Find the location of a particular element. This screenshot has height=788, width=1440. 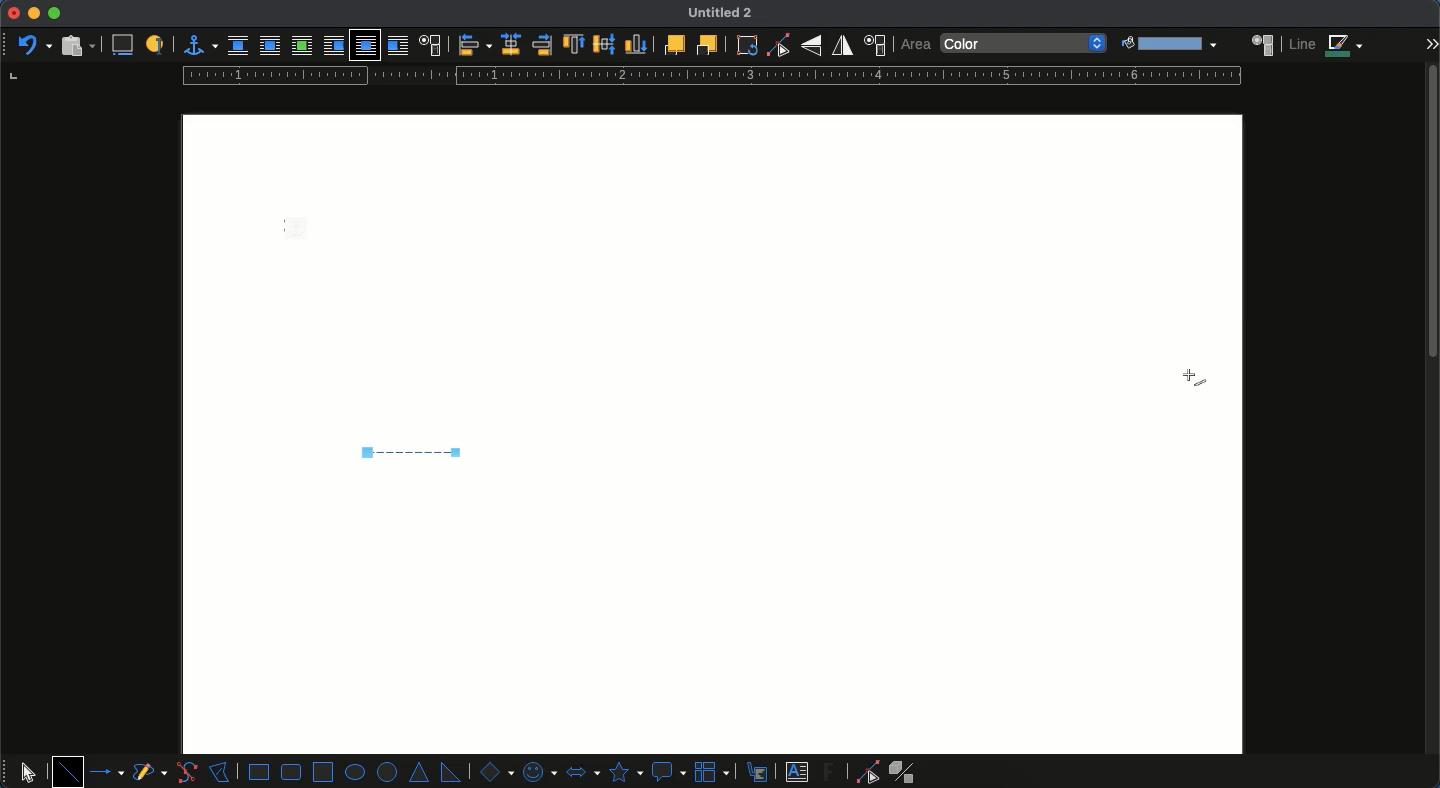

ellipse is located at coordinates (355, 772).